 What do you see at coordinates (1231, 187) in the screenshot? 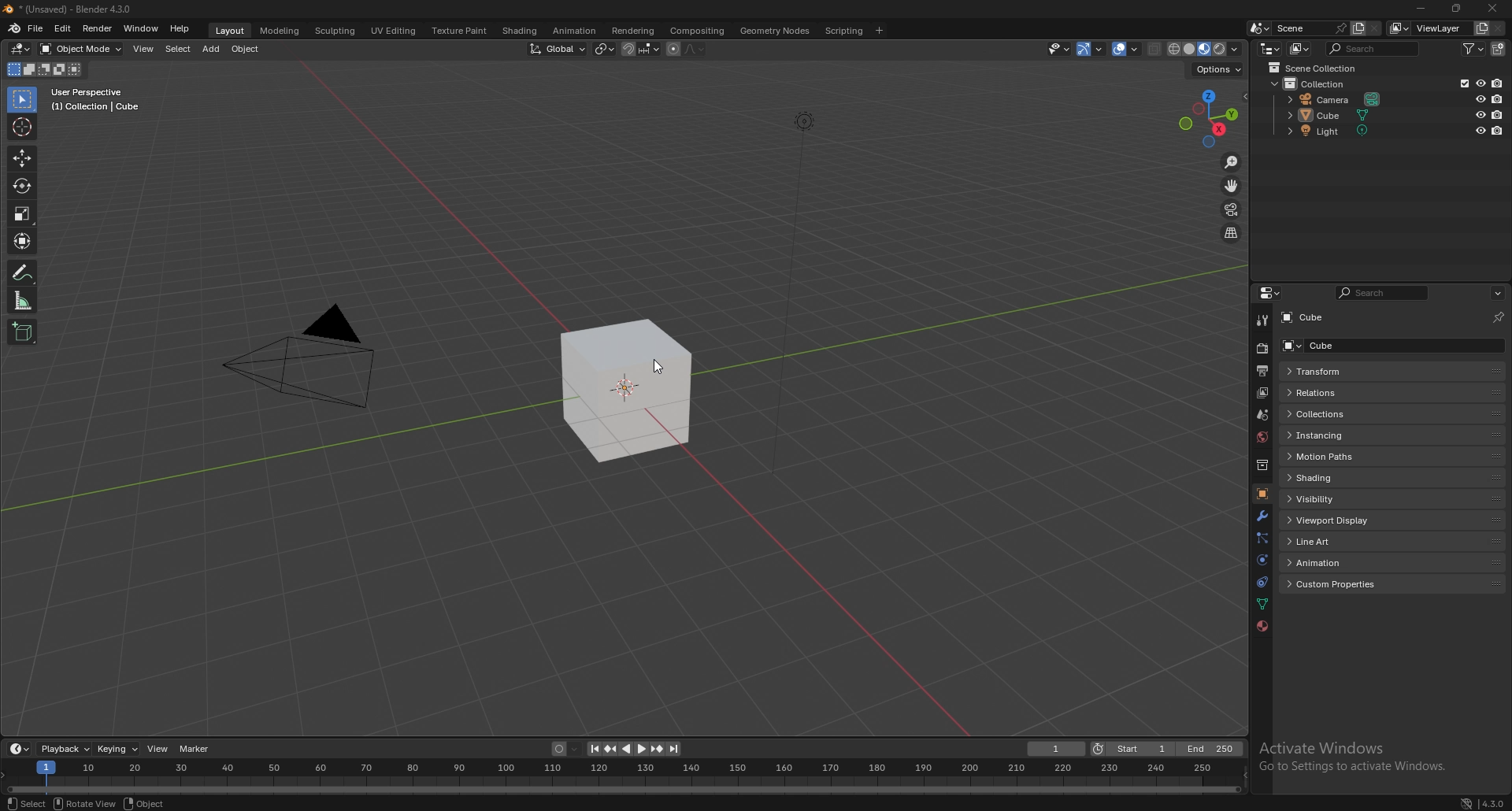
I see `move` at bounding box center [1231, 187].